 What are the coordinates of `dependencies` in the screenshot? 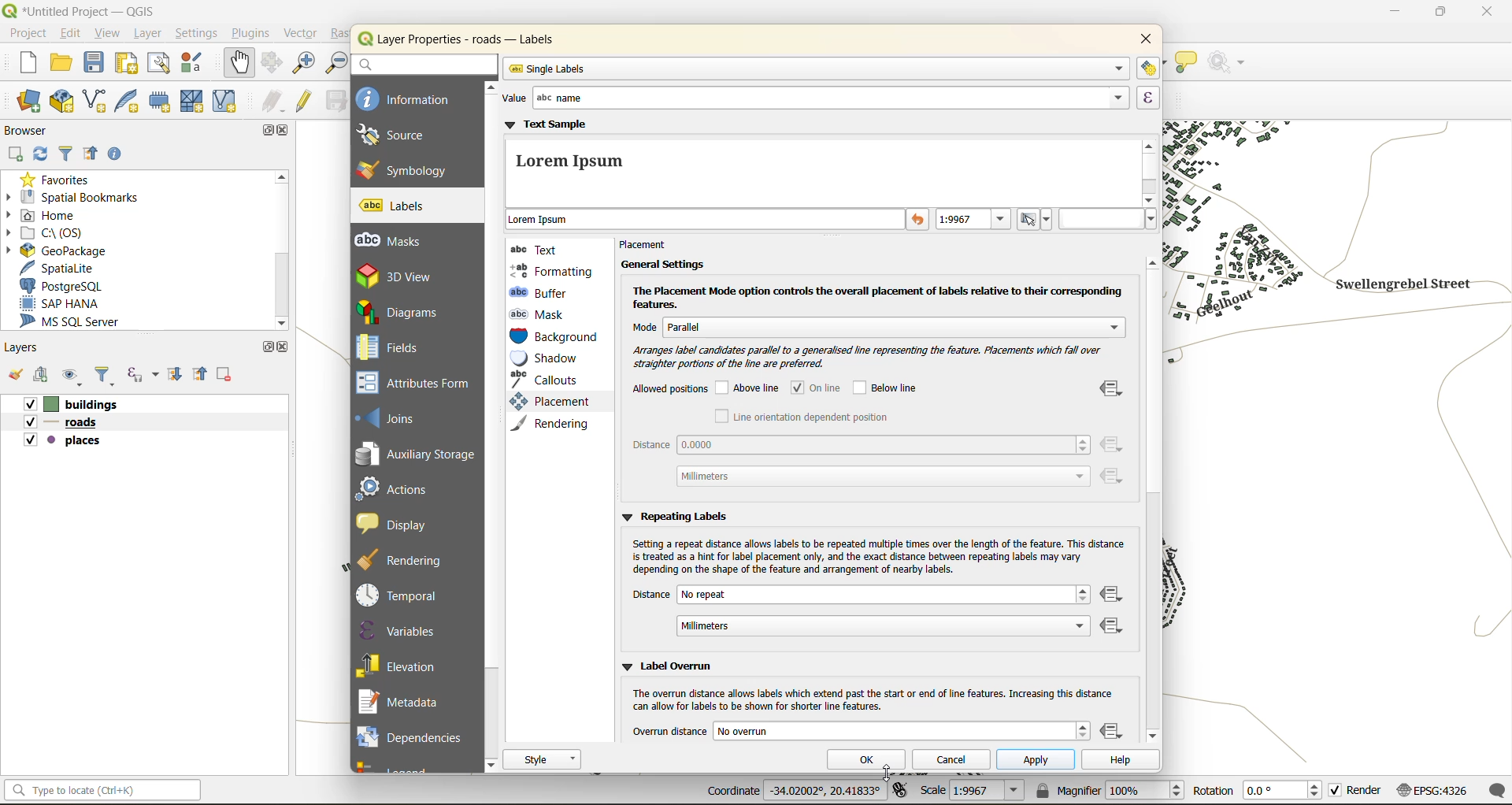 It's located at (410, 735).